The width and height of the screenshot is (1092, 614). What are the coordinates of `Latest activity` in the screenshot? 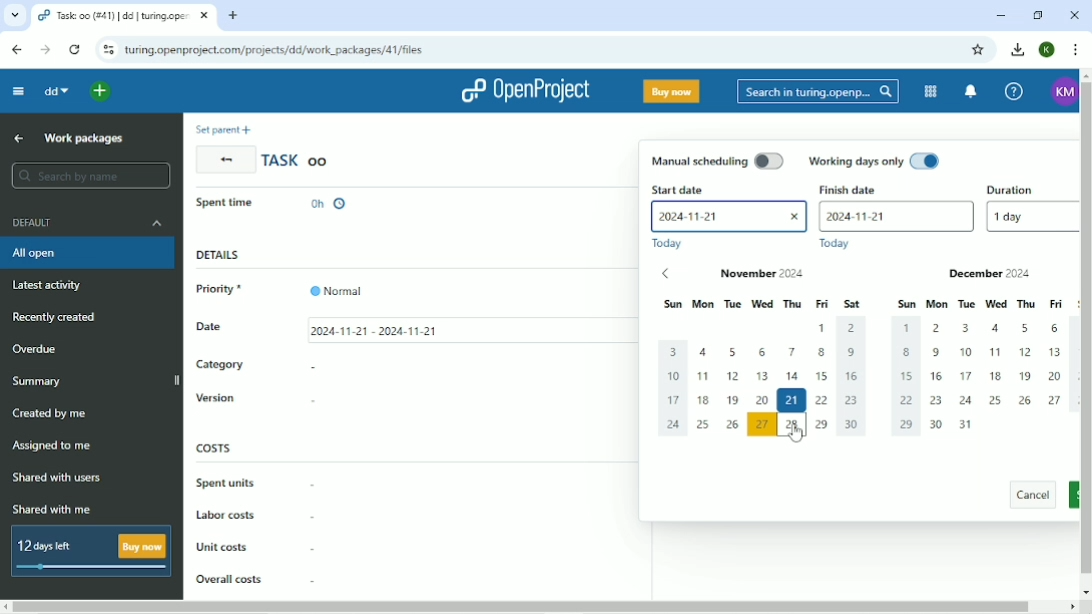 It's located at (51, 284).